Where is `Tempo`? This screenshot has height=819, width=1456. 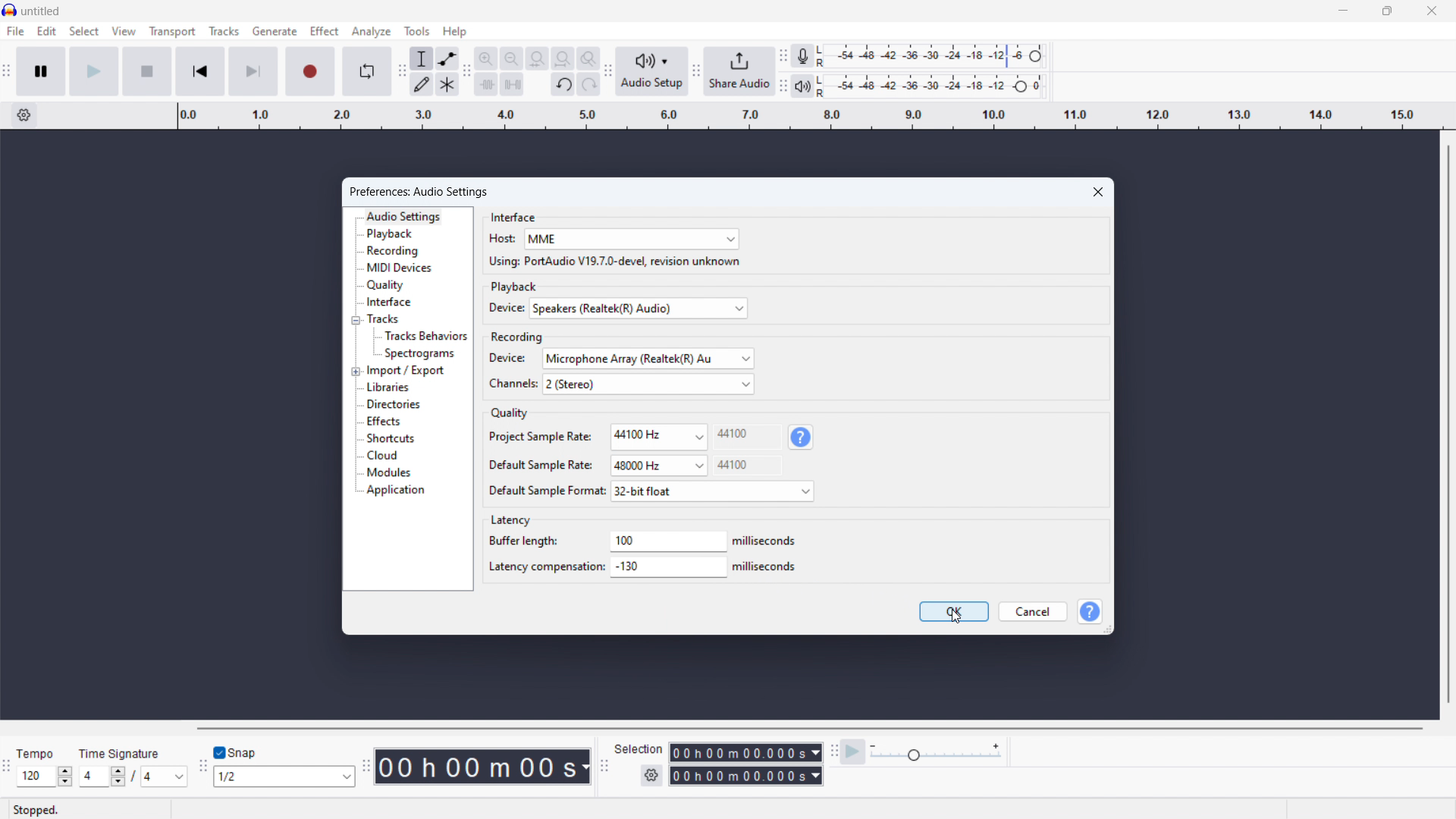 Tempo is located at coordinates (36, 754).